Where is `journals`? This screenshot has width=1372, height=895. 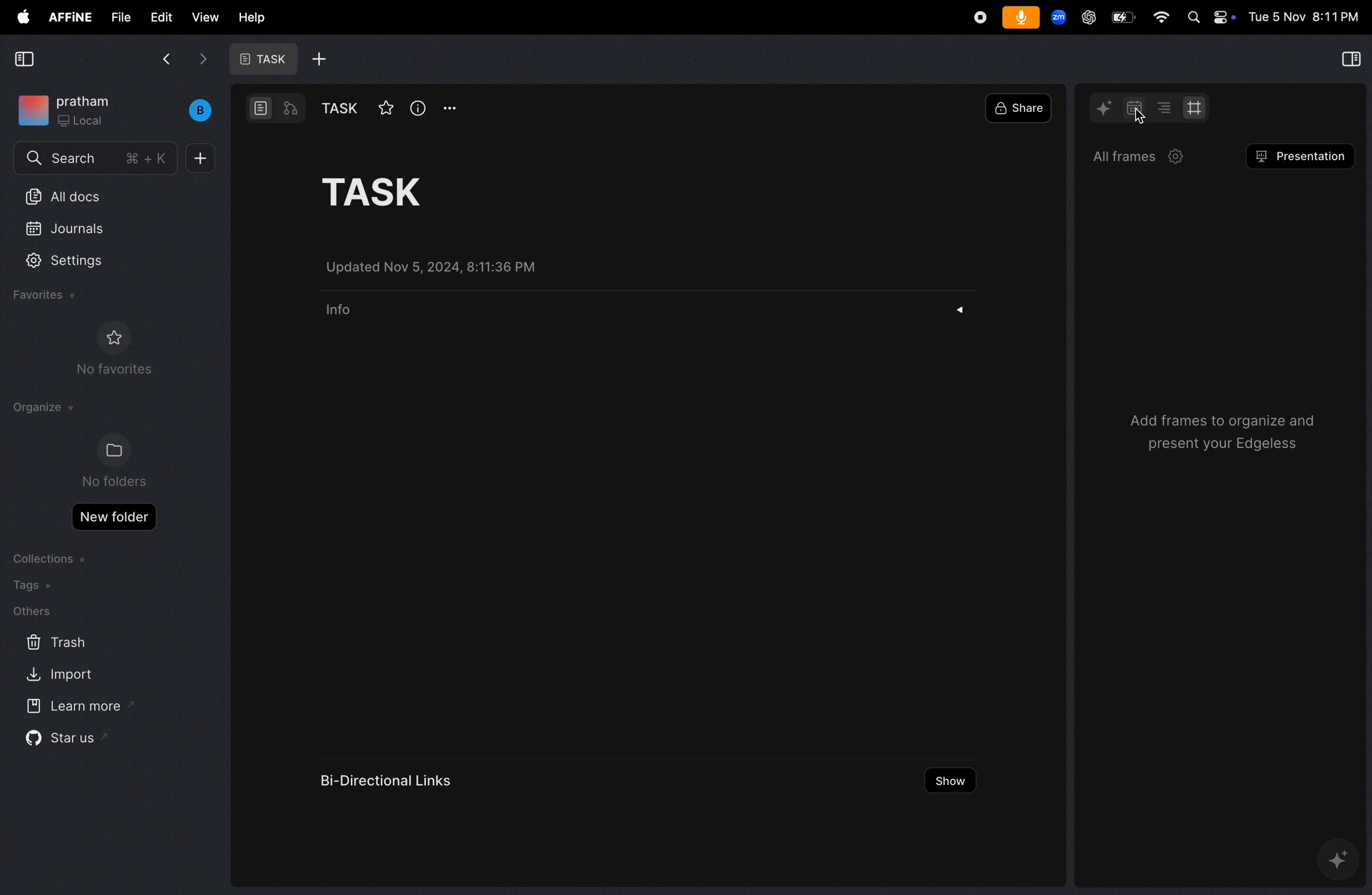 journals is located at coordinates (77, 226).